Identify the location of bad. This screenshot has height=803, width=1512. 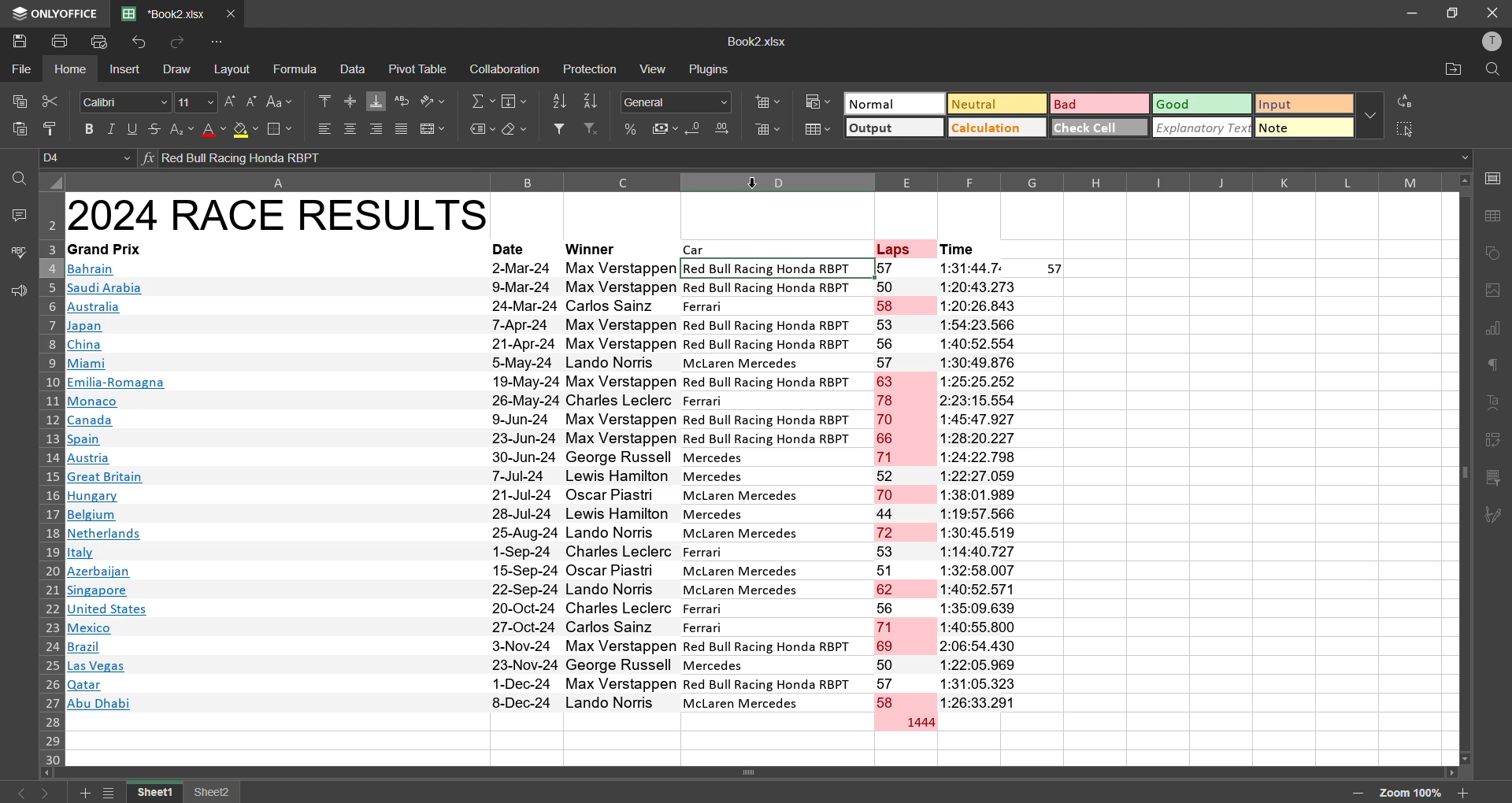
(1092, 107).